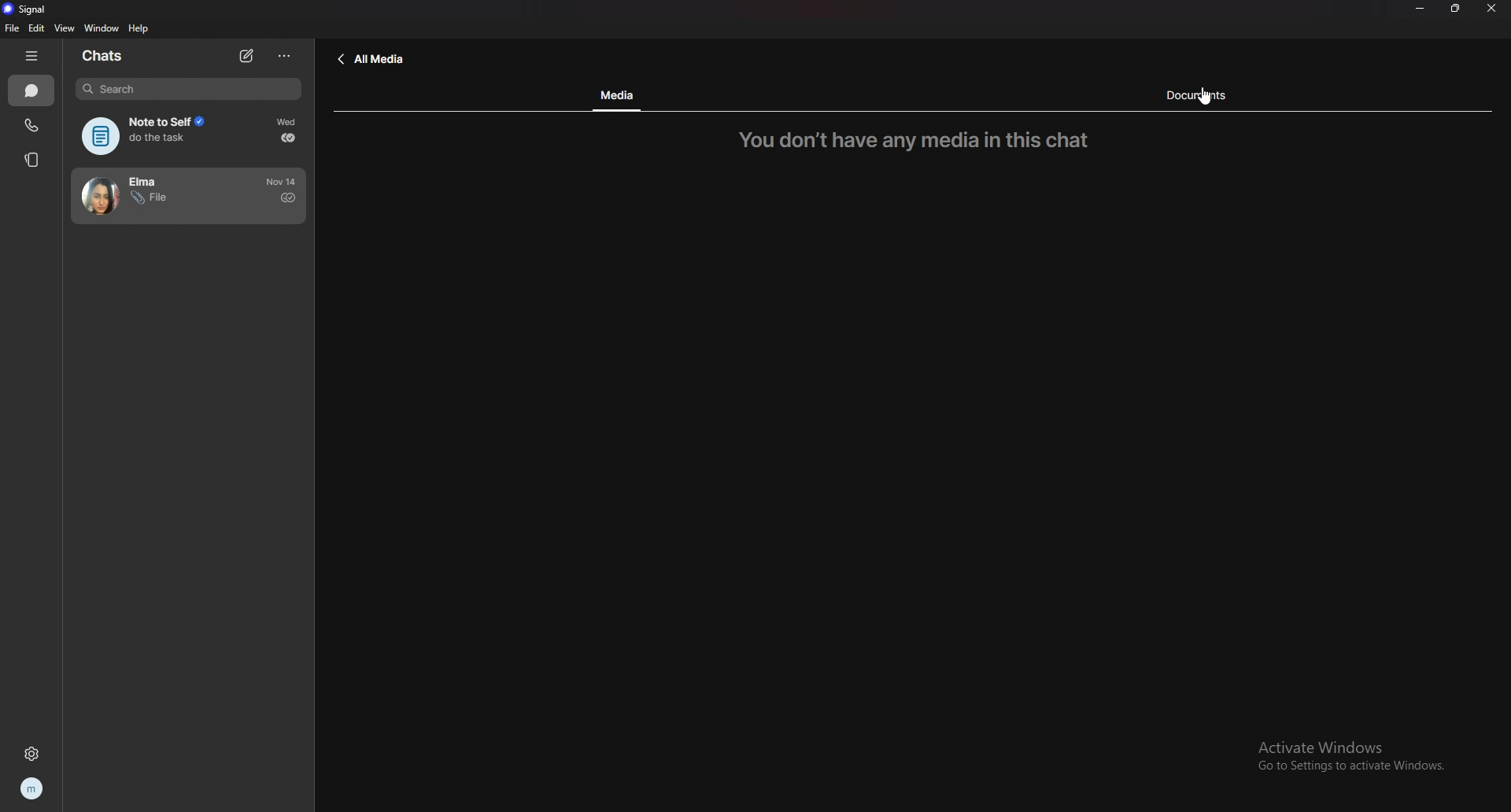 The image size is (1511, 812). I want to click on note to self, so click(153, 136).